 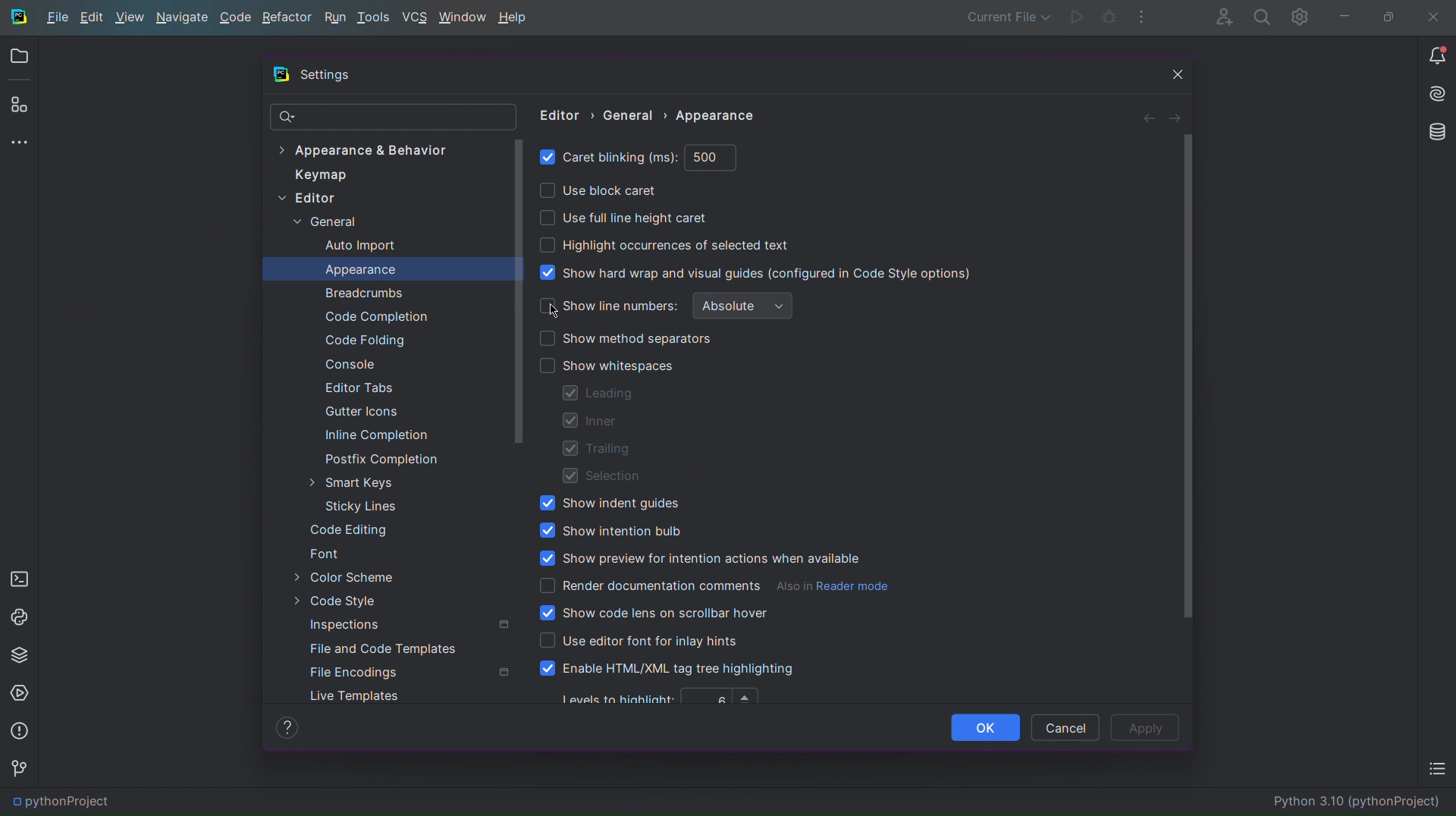 What do you see at coordinates (289, 727) in the screenshot?
I see `Help` at bounding box center [289, 727].